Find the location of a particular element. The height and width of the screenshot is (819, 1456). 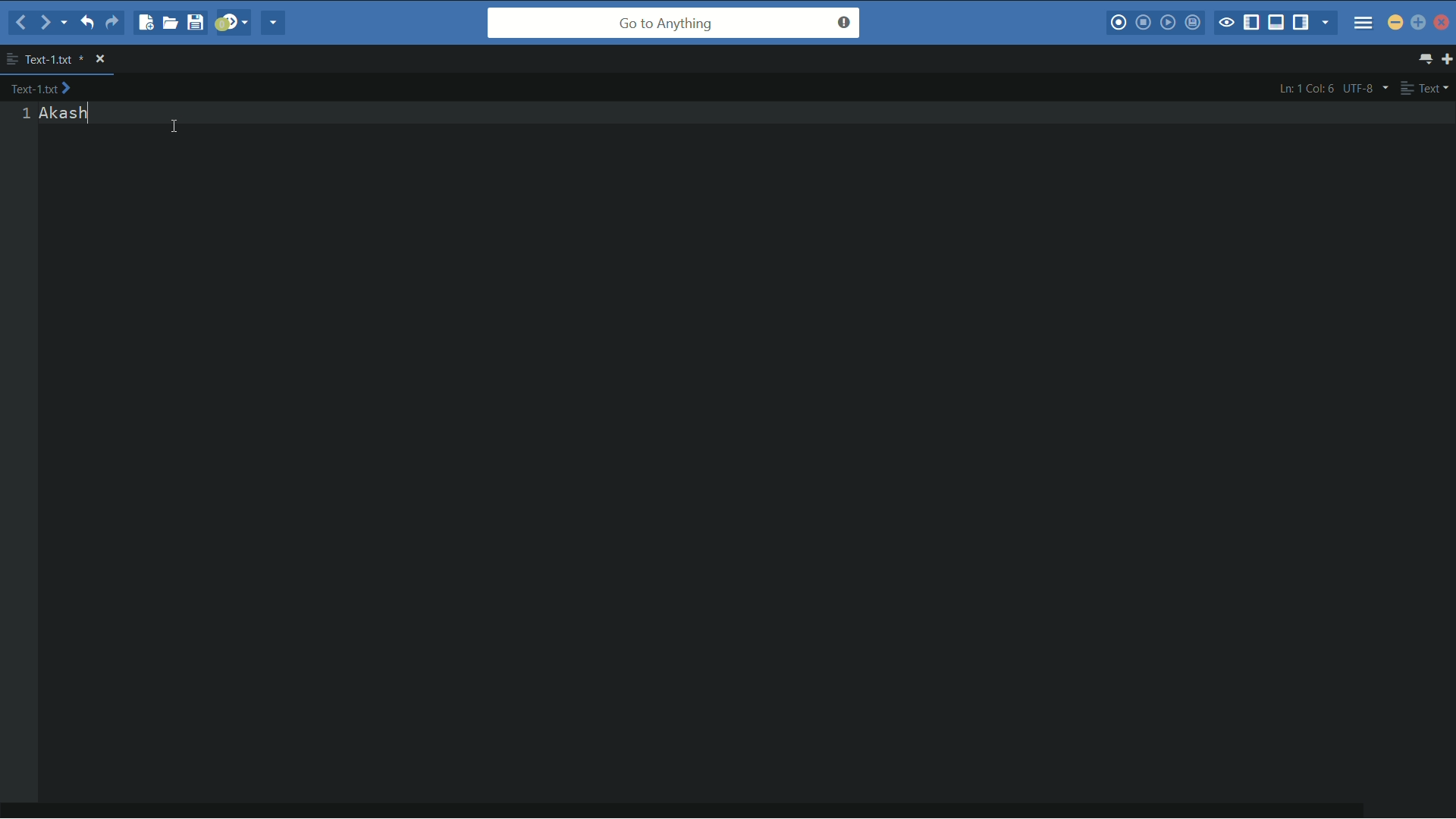

go to anything search bar is located at coordinates (673, 23).